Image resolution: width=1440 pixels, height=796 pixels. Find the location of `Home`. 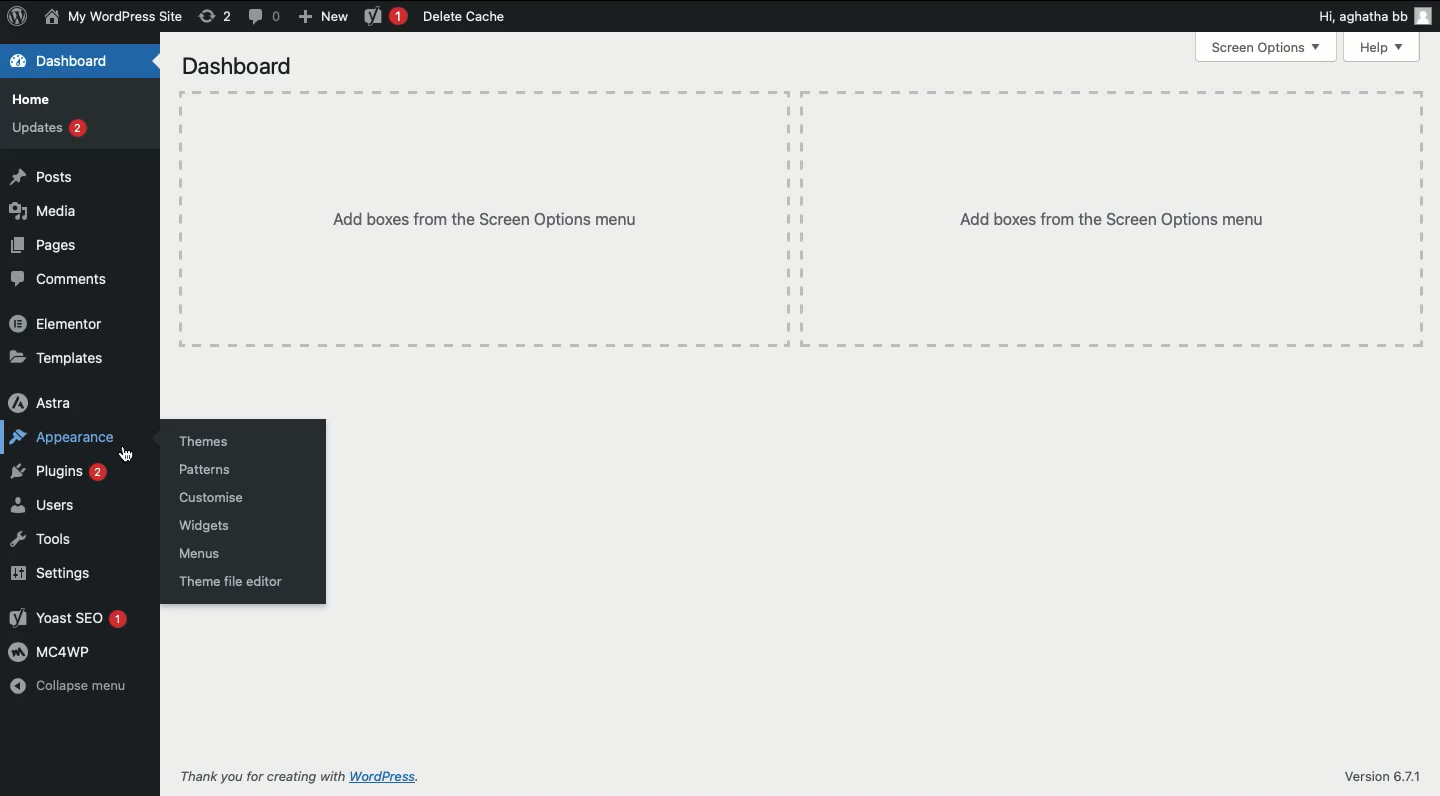

Home is located at coordinates (38, 100).